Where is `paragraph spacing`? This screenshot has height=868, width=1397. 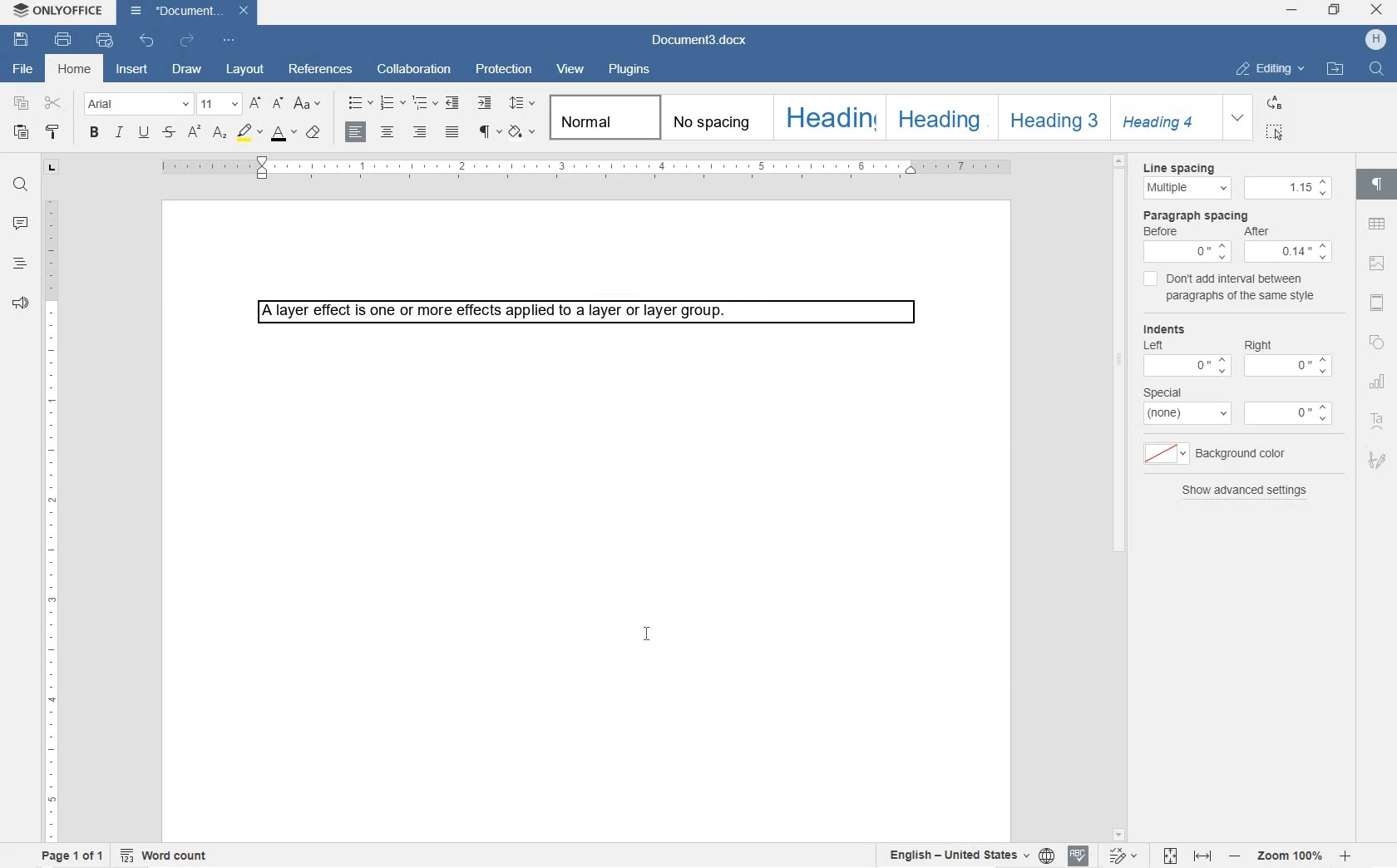 paragraph spacing is located at coordinates (1239, 215).